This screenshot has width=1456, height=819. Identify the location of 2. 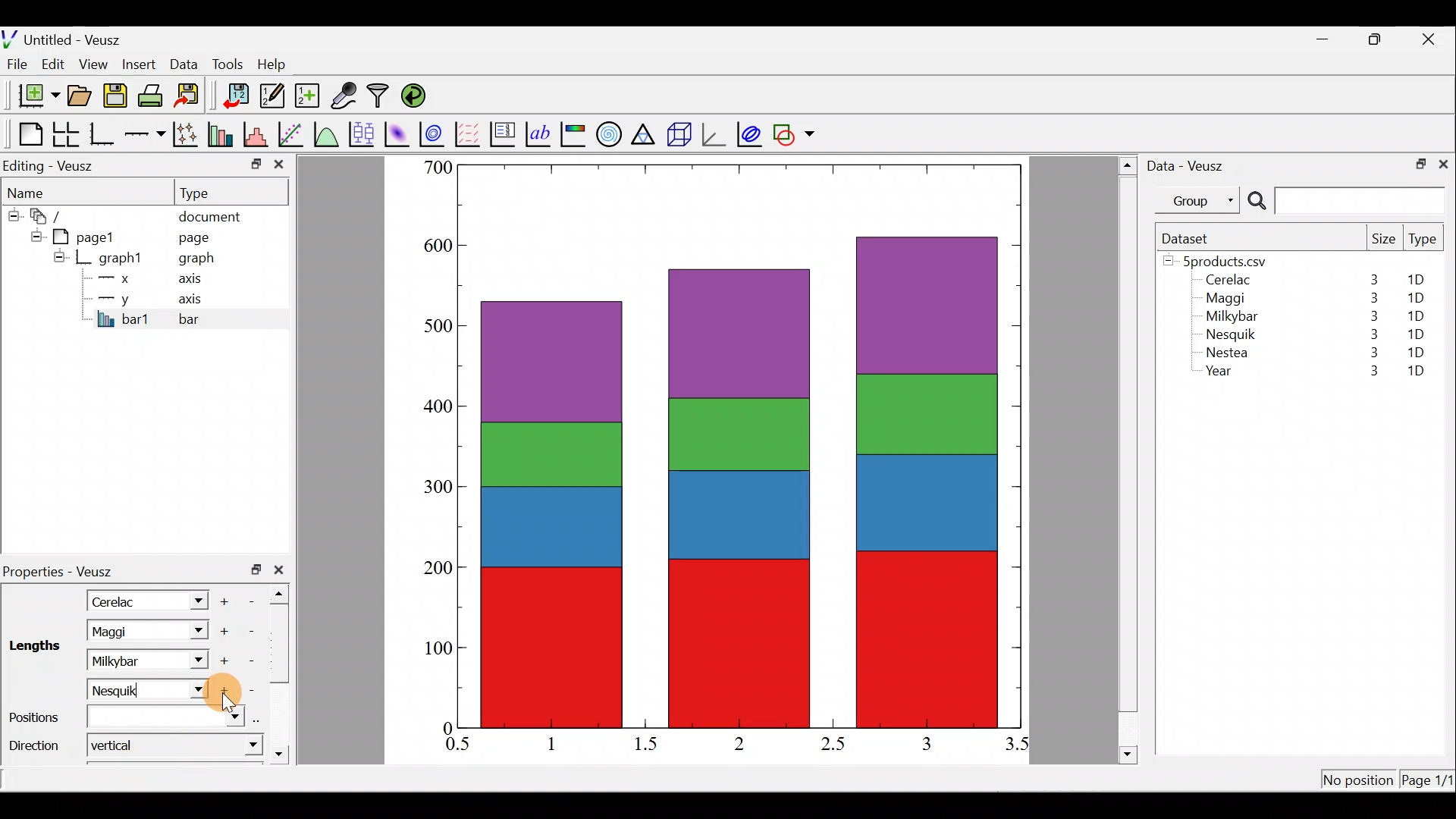
(736, 742).